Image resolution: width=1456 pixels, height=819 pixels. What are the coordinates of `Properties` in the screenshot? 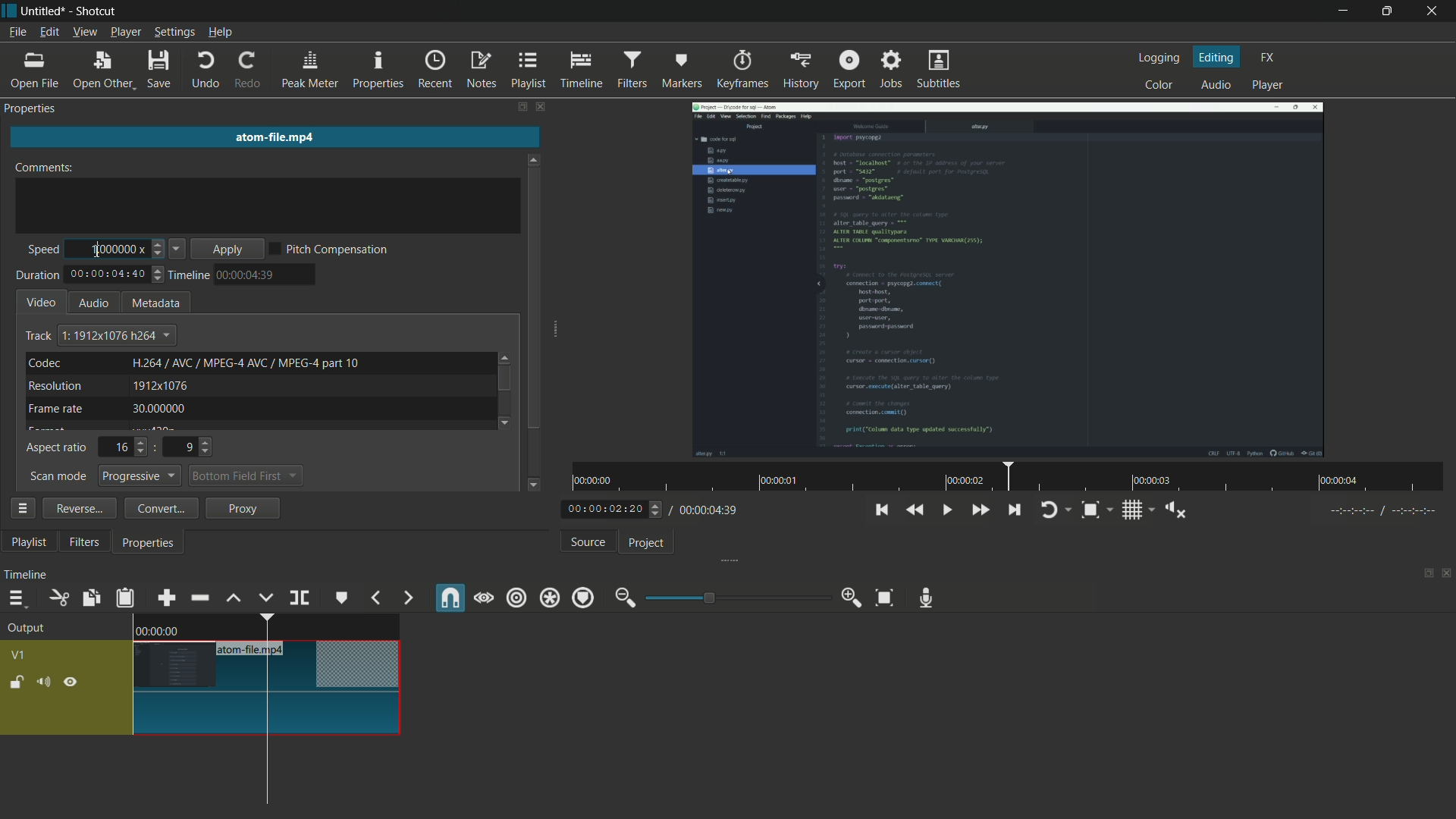 It's located at (37, 108).